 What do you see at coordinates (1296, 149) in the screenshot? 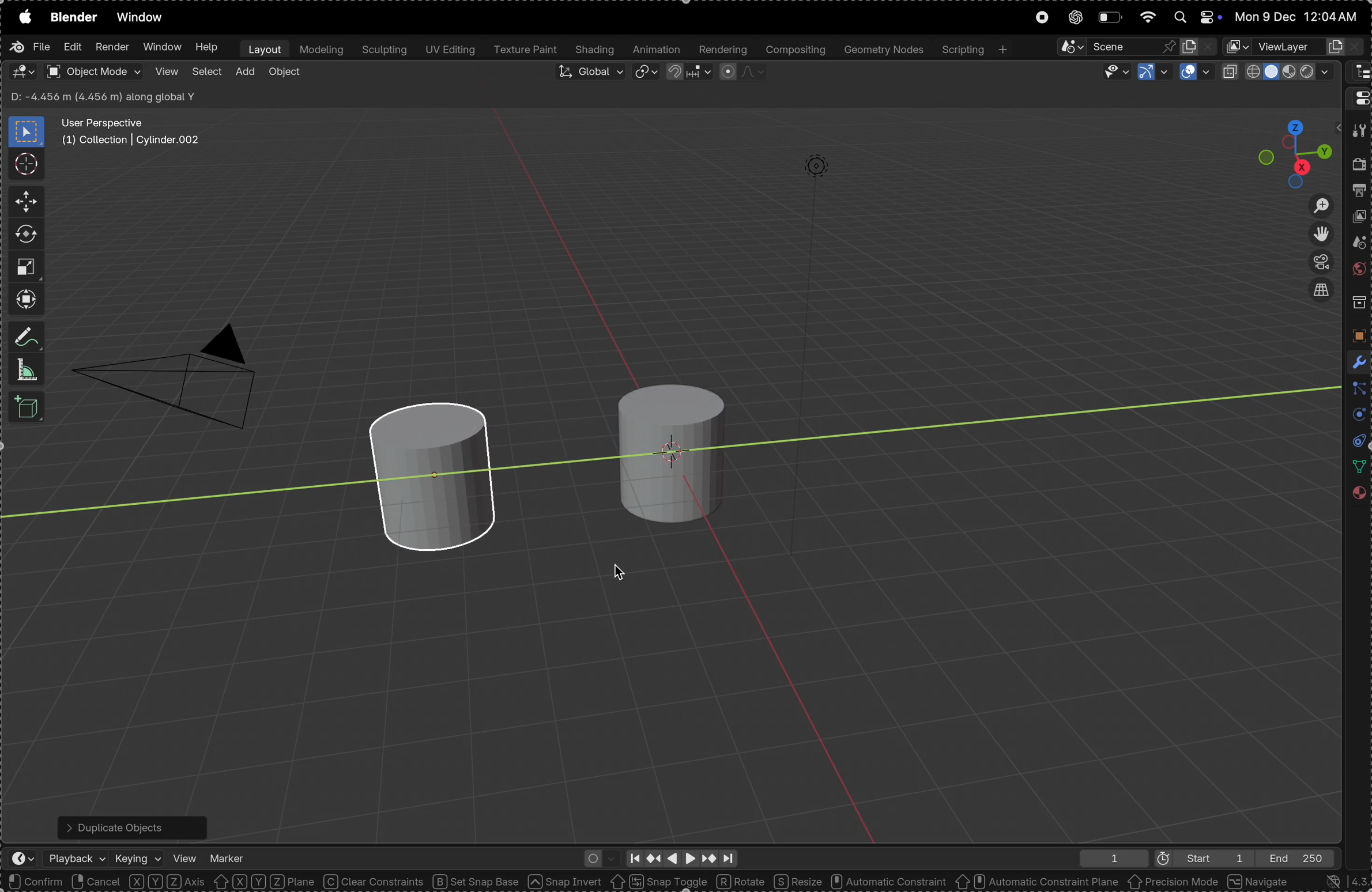
I see `view point` at bounding box center [1296, 149].